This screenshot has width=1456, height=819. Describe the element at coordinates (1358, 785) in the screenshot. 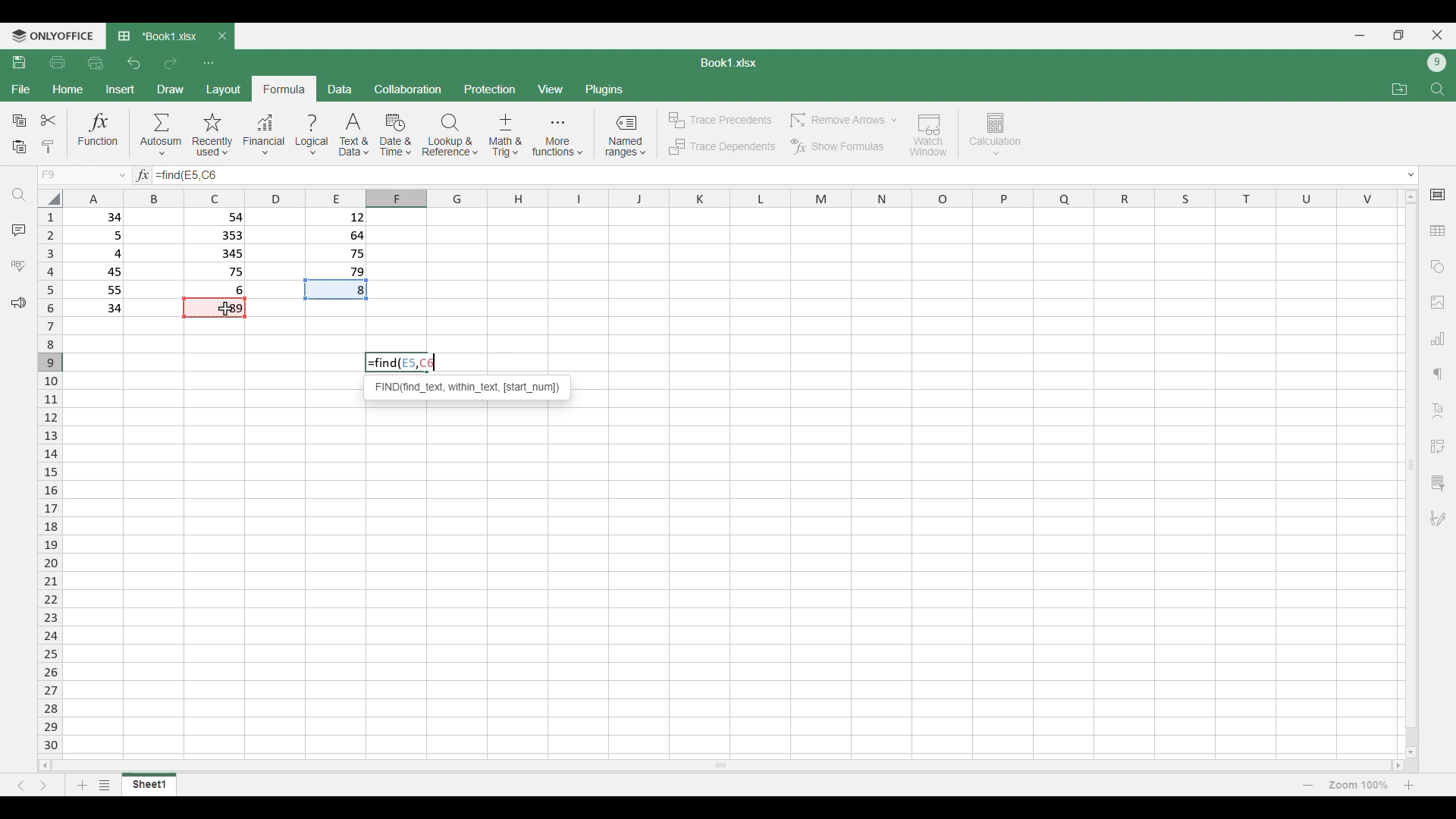

I see `Current zoom factor` at that location.